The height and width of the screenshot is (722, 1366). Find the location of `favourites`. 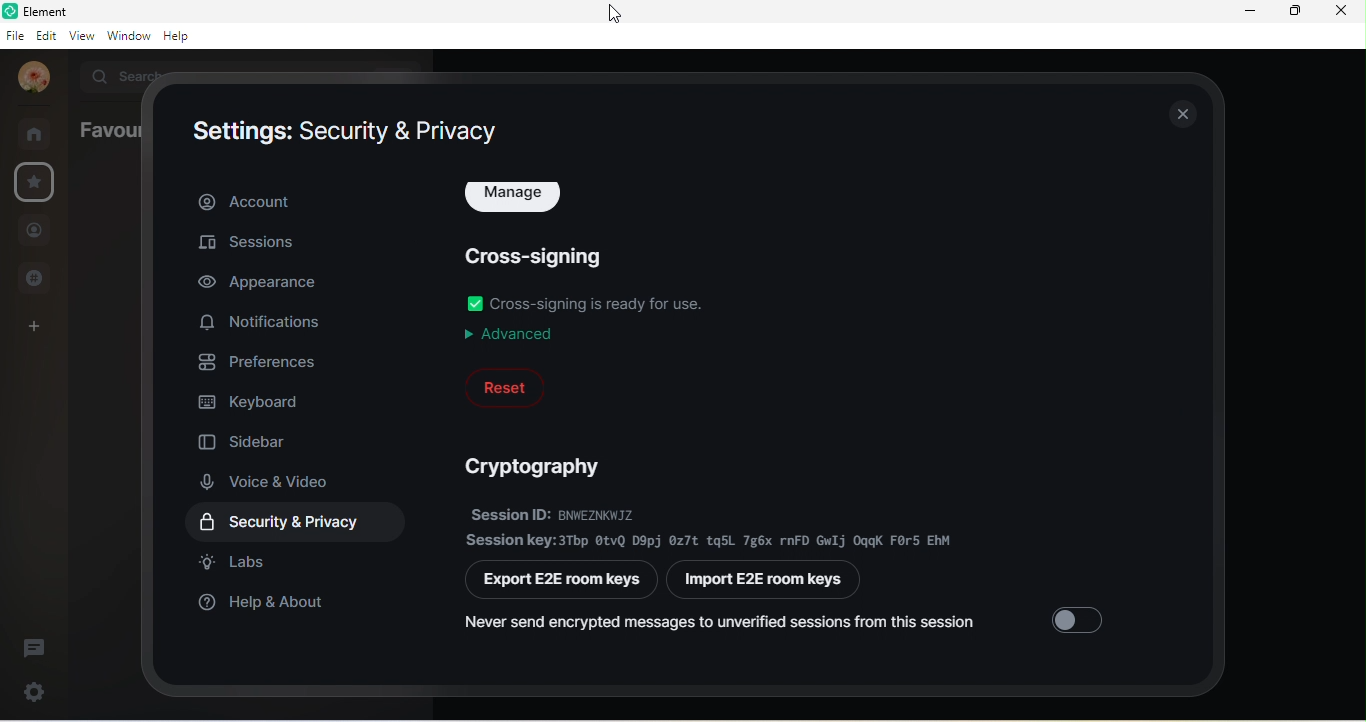

favourites is located at coordinates (109, 128).